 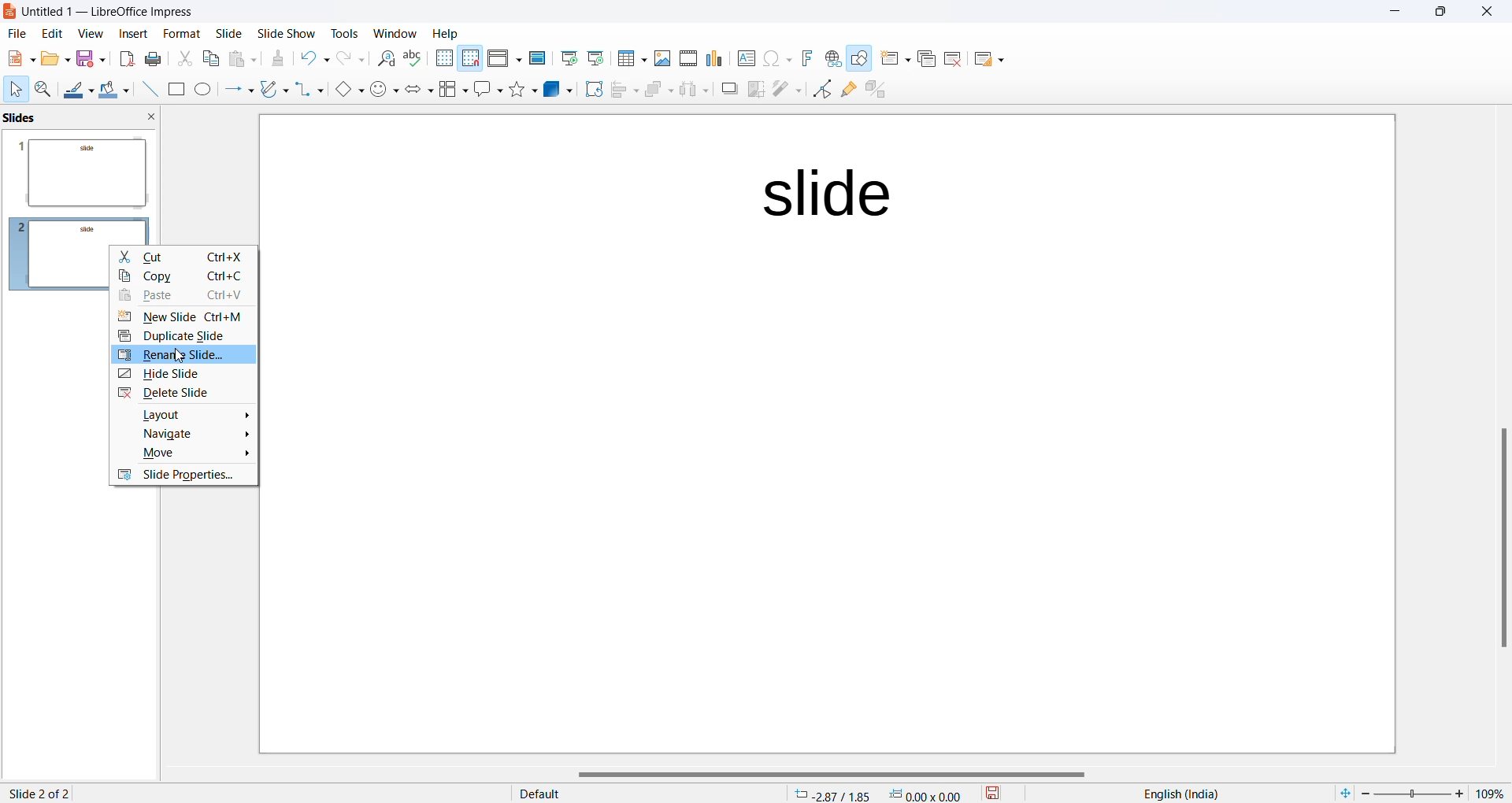 What do you see at coordinates (724, 90) in the screenshot?
I see `Shadow` at bounding box center [724, 90].